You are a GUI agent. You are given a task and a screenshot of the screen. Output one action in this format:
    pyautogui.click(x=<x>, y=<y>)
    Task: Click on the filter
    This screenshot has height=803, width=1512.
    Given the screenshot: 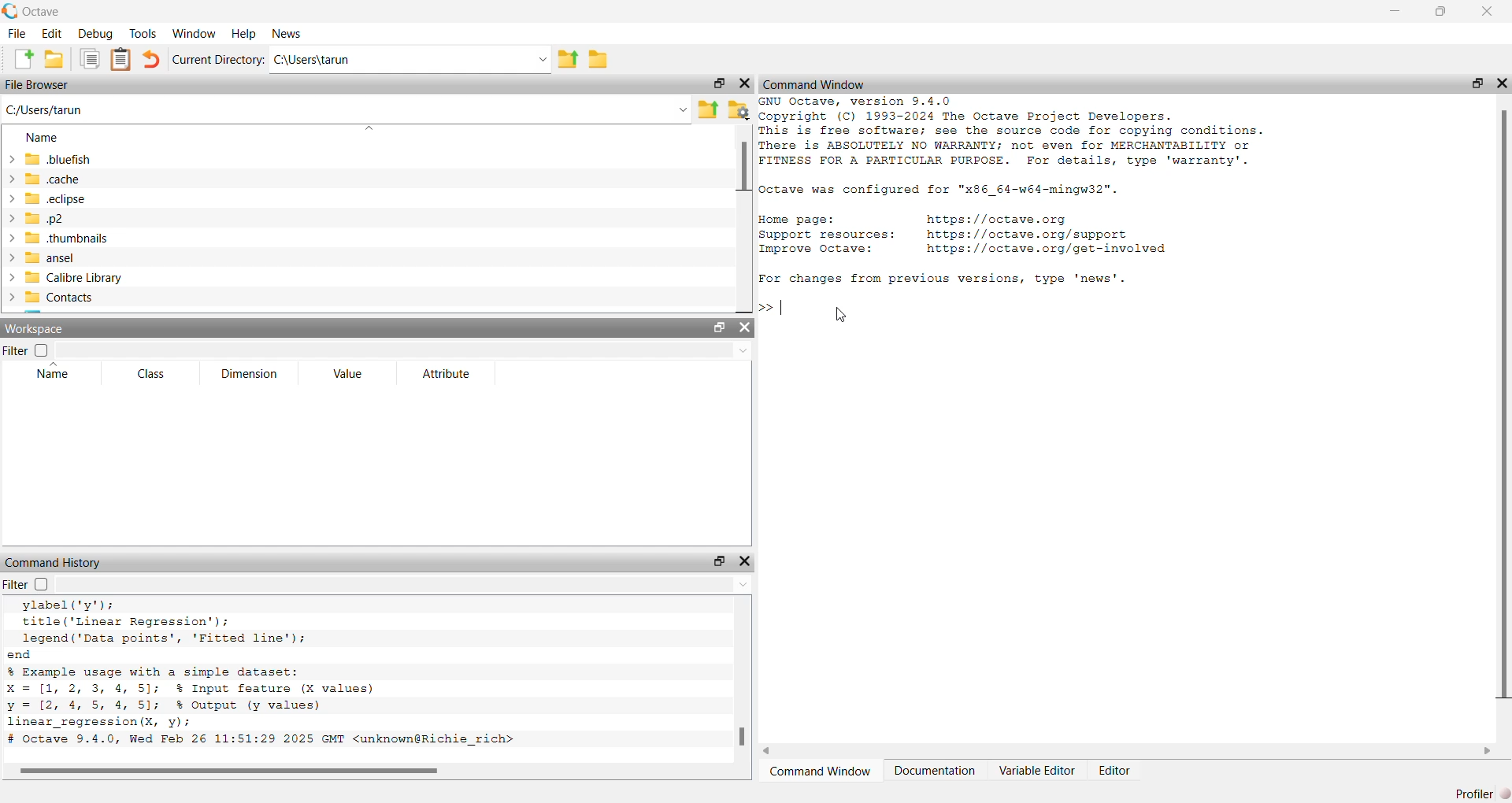 What is the action you would take?
    pyautogui.click(x=24, y=350)
    